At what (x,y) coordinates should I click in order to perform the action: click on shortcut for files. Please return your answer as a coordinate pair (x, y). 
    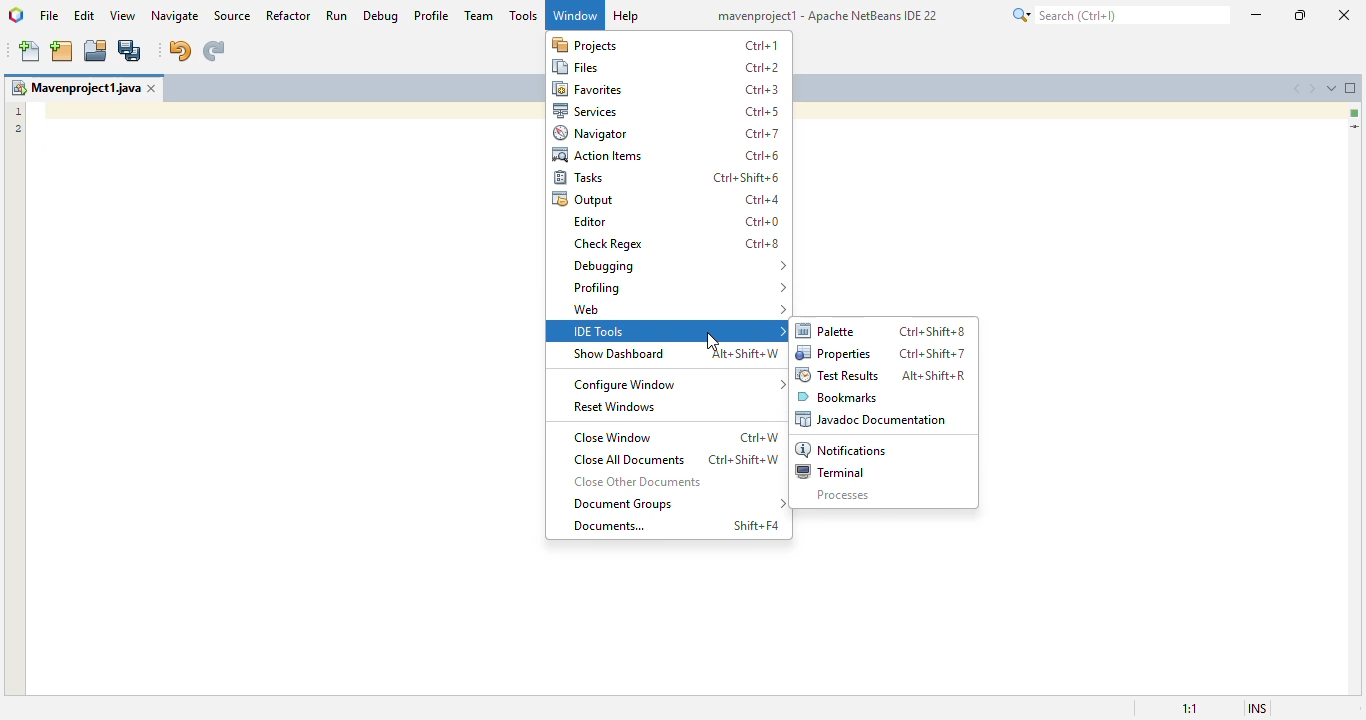
    Looking at the image, I should click on (762, 67).